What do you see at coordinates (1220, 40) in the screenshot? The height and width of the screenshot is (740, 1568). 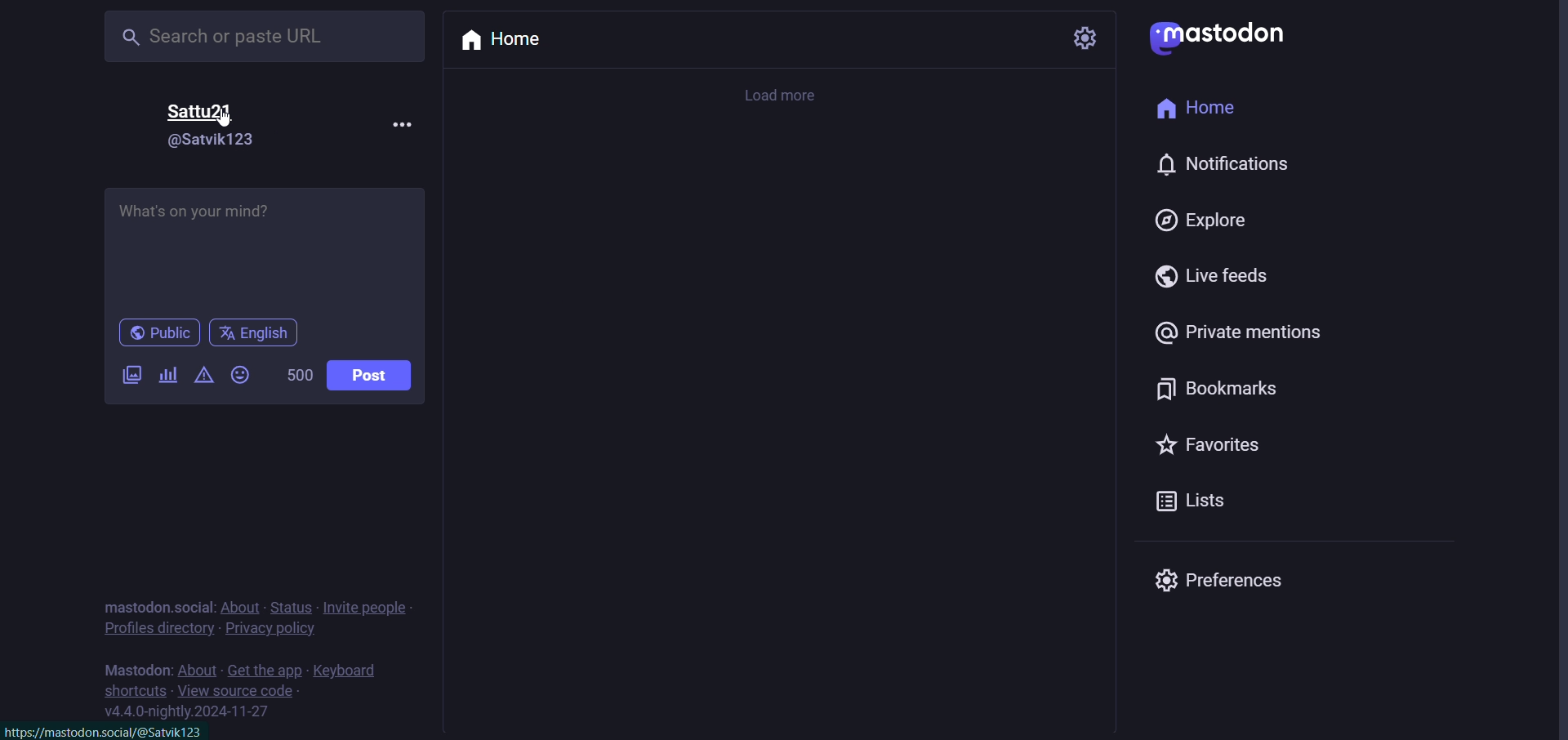 I see `mastodon` at bounding box center [1220, 40].